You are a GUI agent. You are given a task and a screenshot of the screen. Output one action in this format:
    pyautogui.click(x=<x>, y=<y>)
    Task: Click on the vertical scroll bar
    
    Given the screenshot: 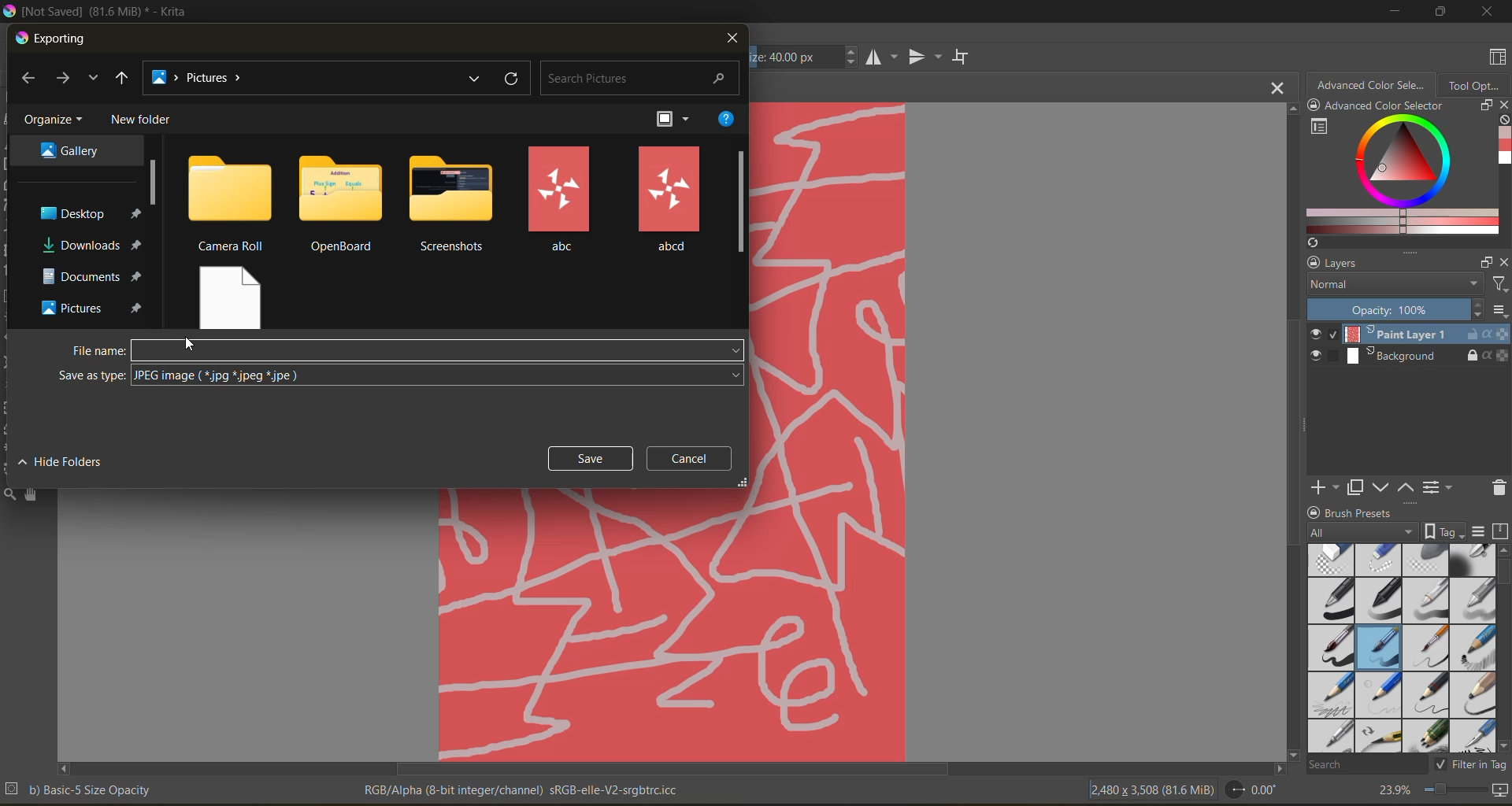 What is the action you would take?
    pyautogui.click(x=155, y=182)
    